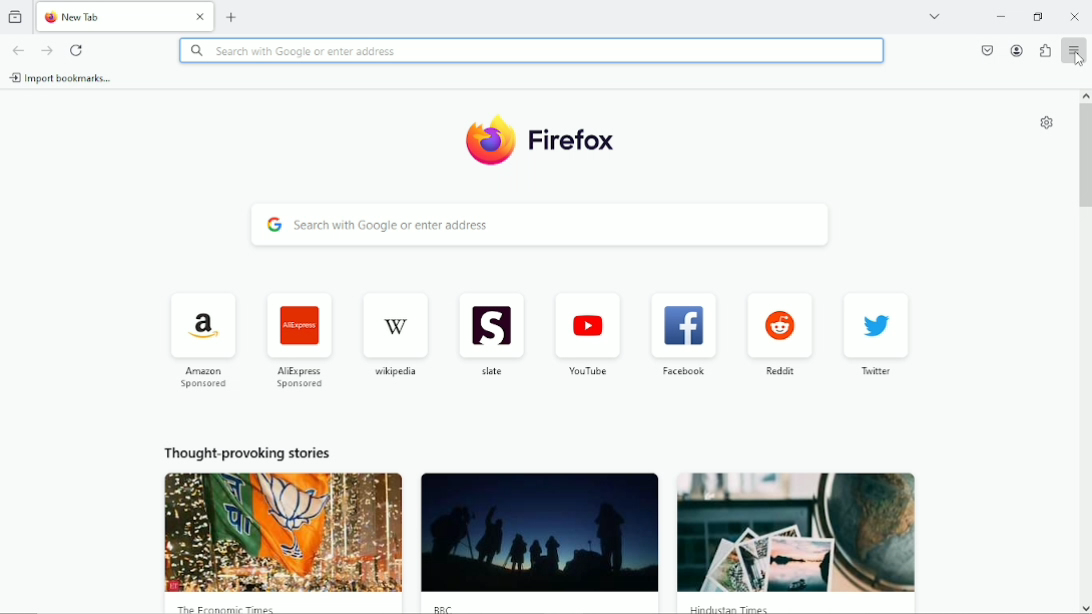 This screenshot has width=1092, height=614. What do you see at coordinates (589, 333) in the screenshot?
I see `Youtube` at bounding box center [589, 333].